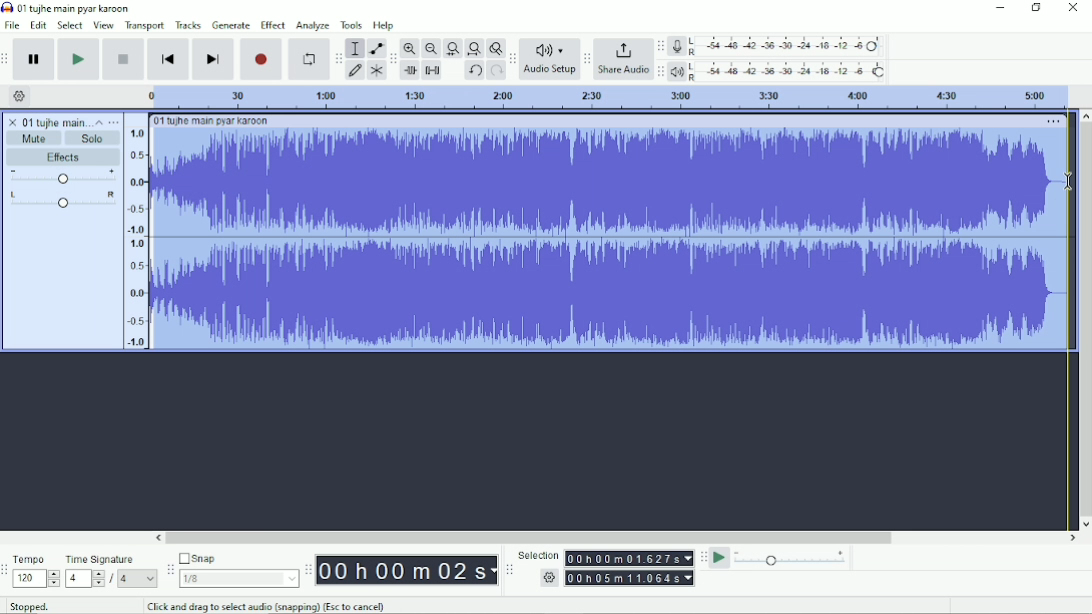  What do you see at coordinates (67, 157) in the screenshot?
I see `Effects` at bounding box center [67, 157].